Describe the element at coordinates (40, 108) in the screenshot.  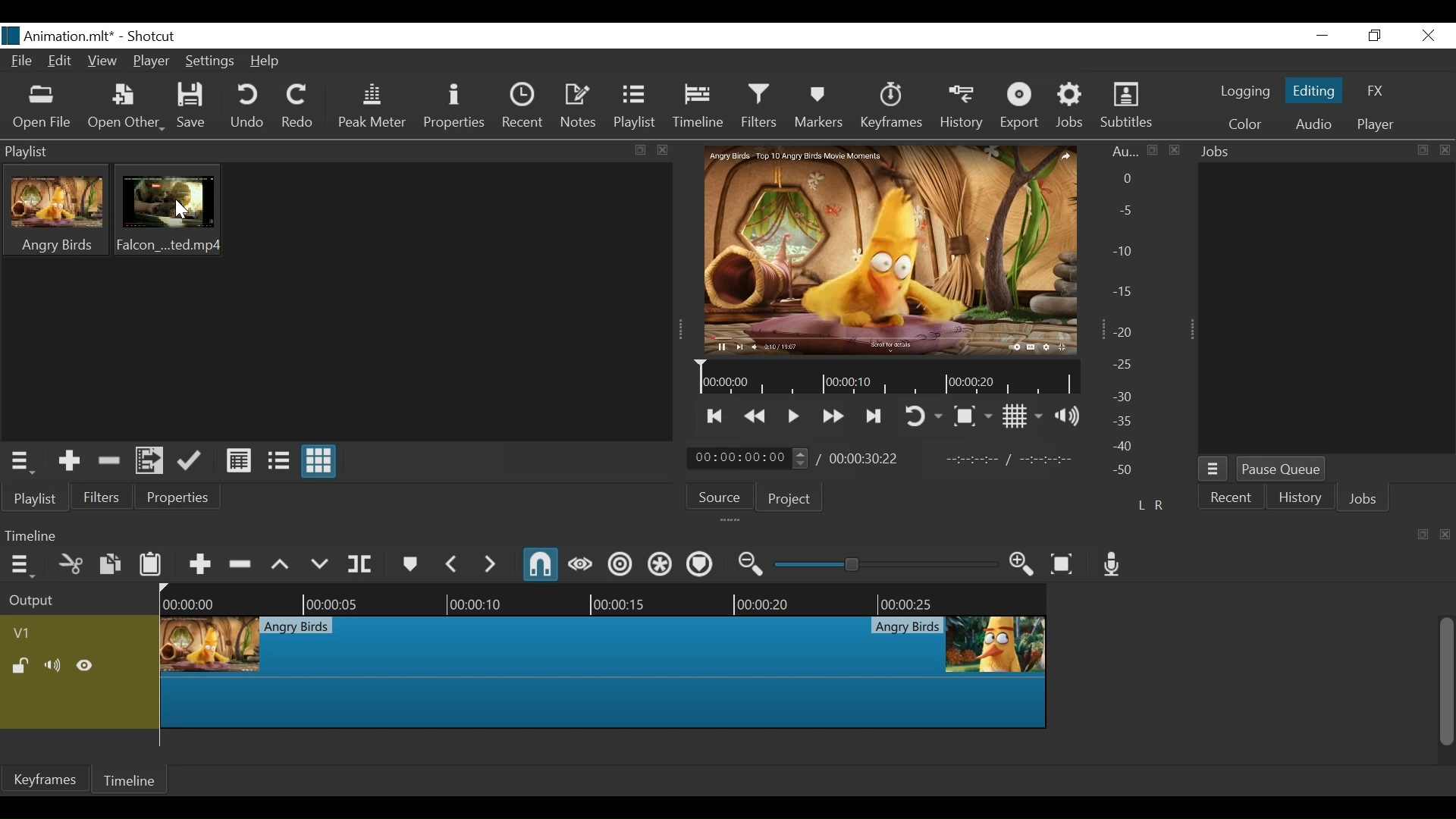
I see `Open File` at that location.